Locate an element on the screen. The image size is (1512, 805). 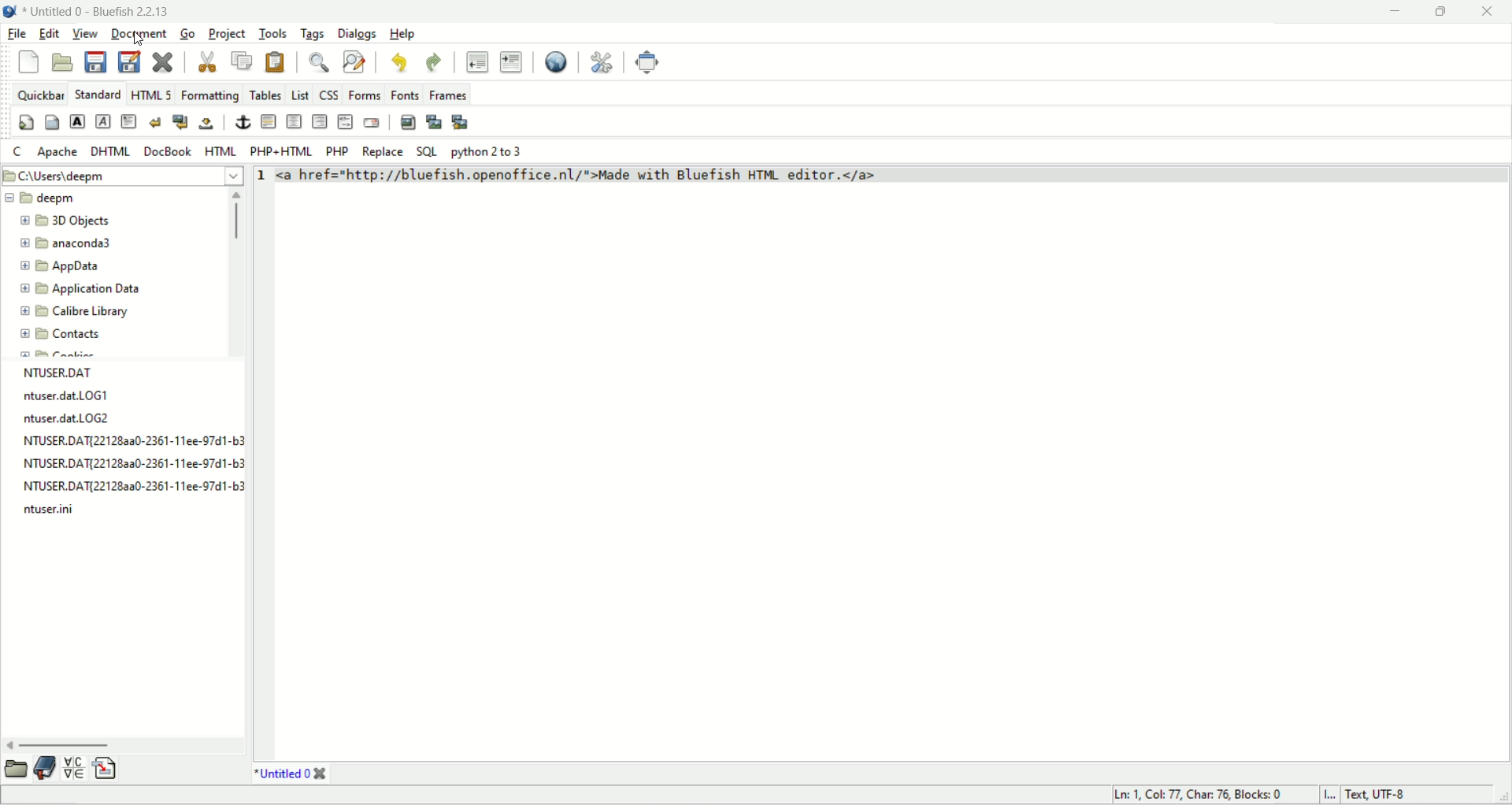
email is located at coordinates (372, 123).